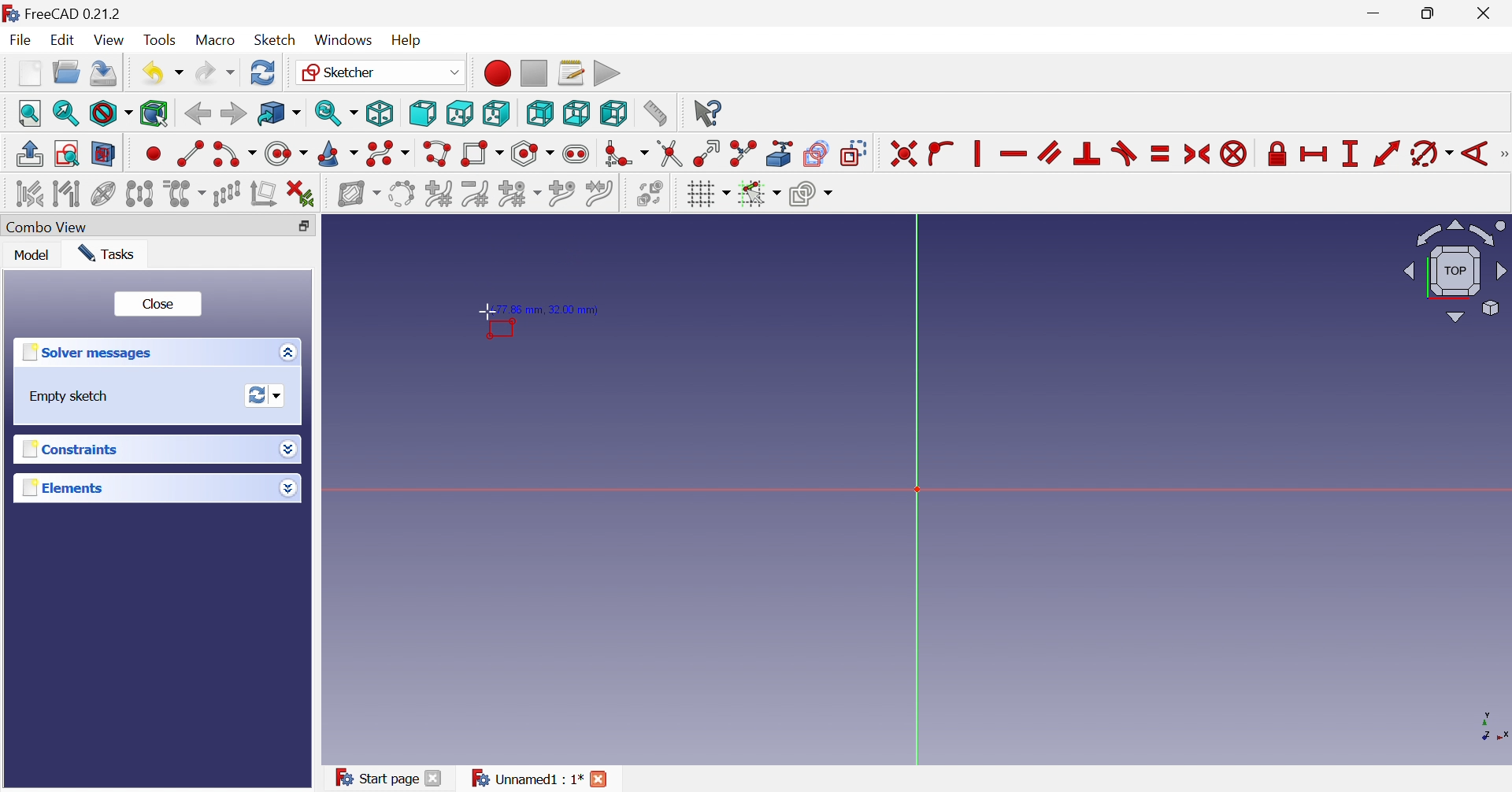 The image size is (1512, 792). Describe the element at coordinates (103, 154) in the screenshot. I see `View section` at that location.